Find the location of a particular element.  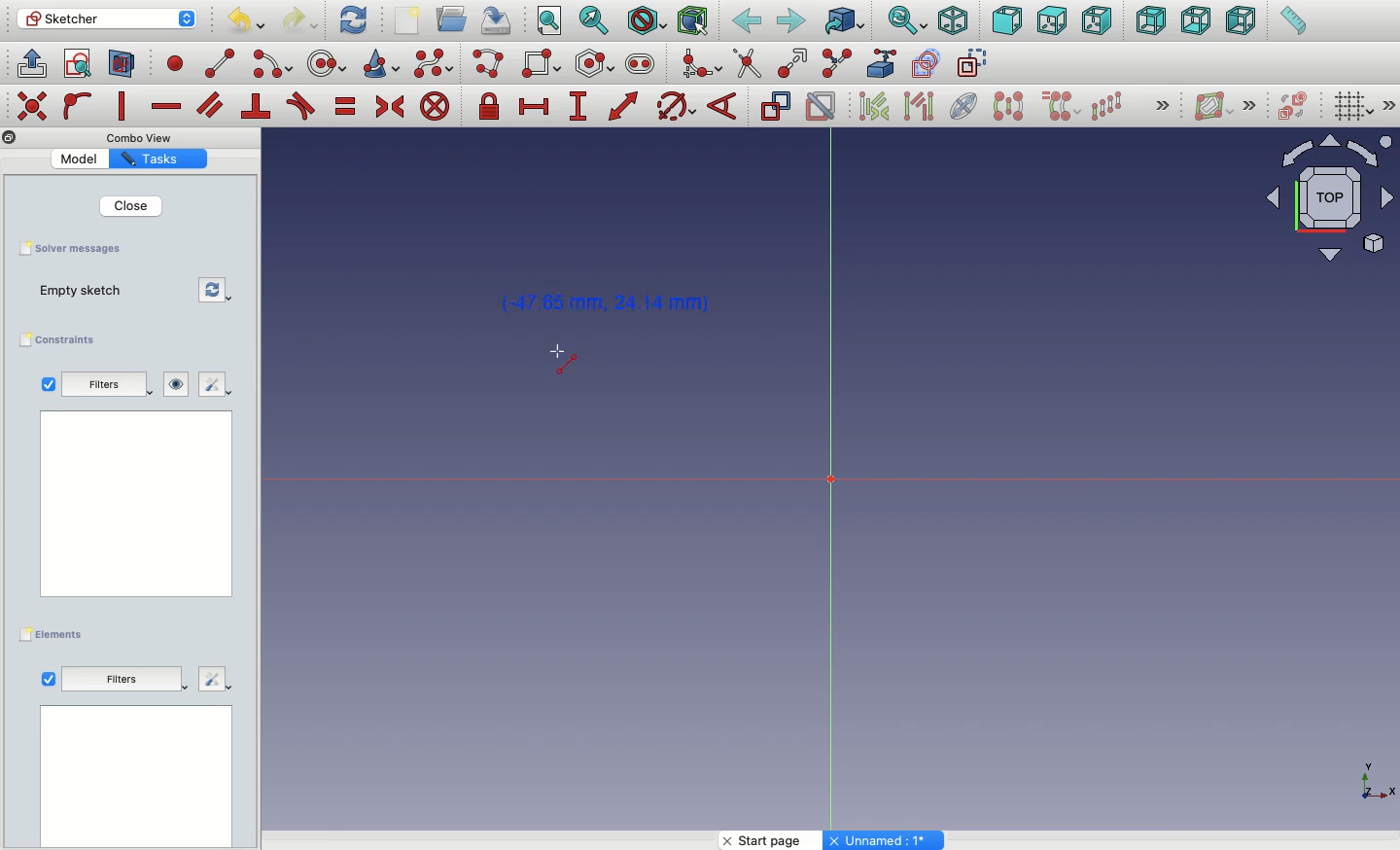

Constrain lock is located at coordinates (492, 106).